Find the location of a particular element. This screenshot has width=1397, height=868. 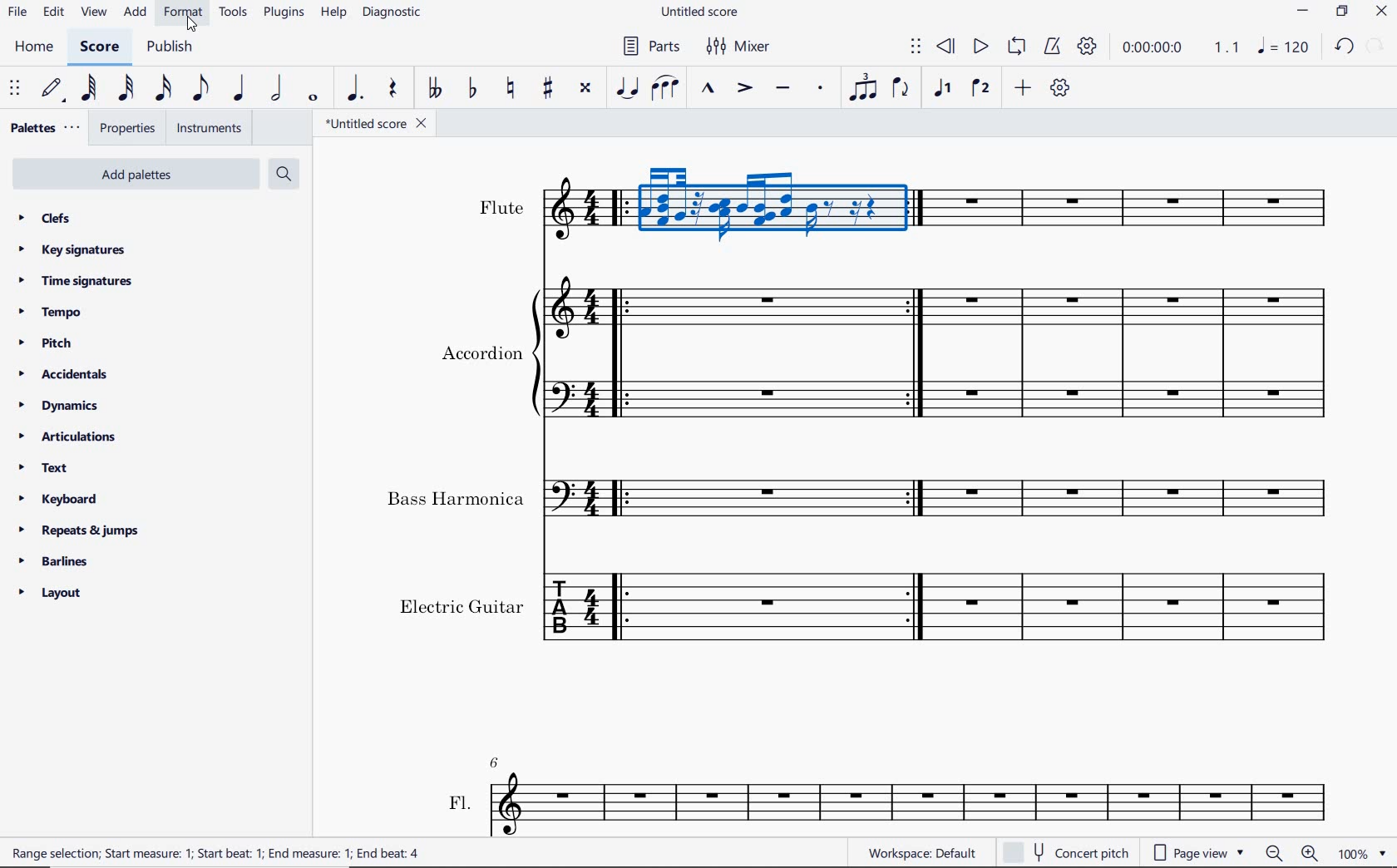

voice 2 is located at coordinates (980, 87).